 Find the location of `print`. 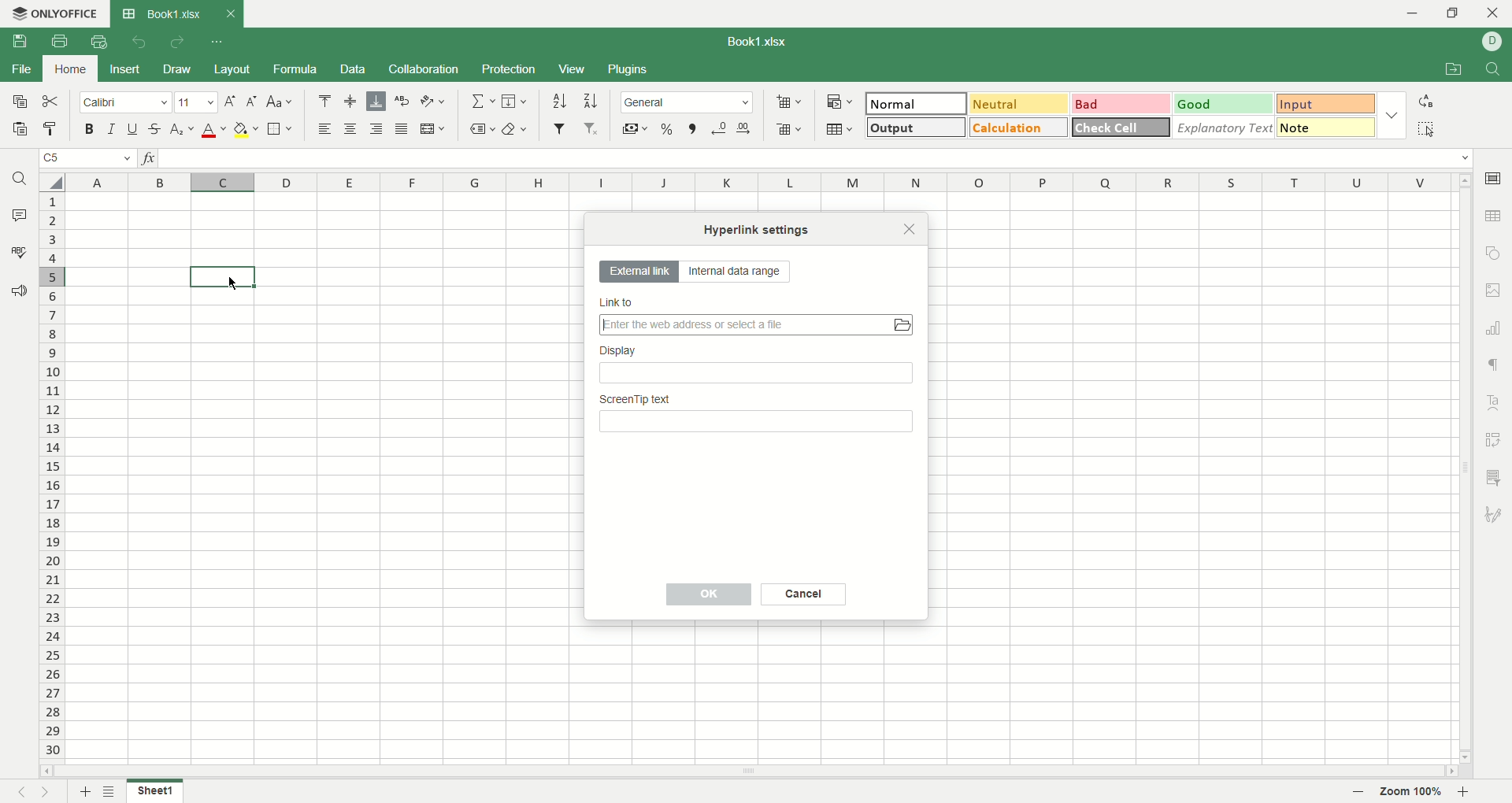

print is located at coordinates (59, 41).